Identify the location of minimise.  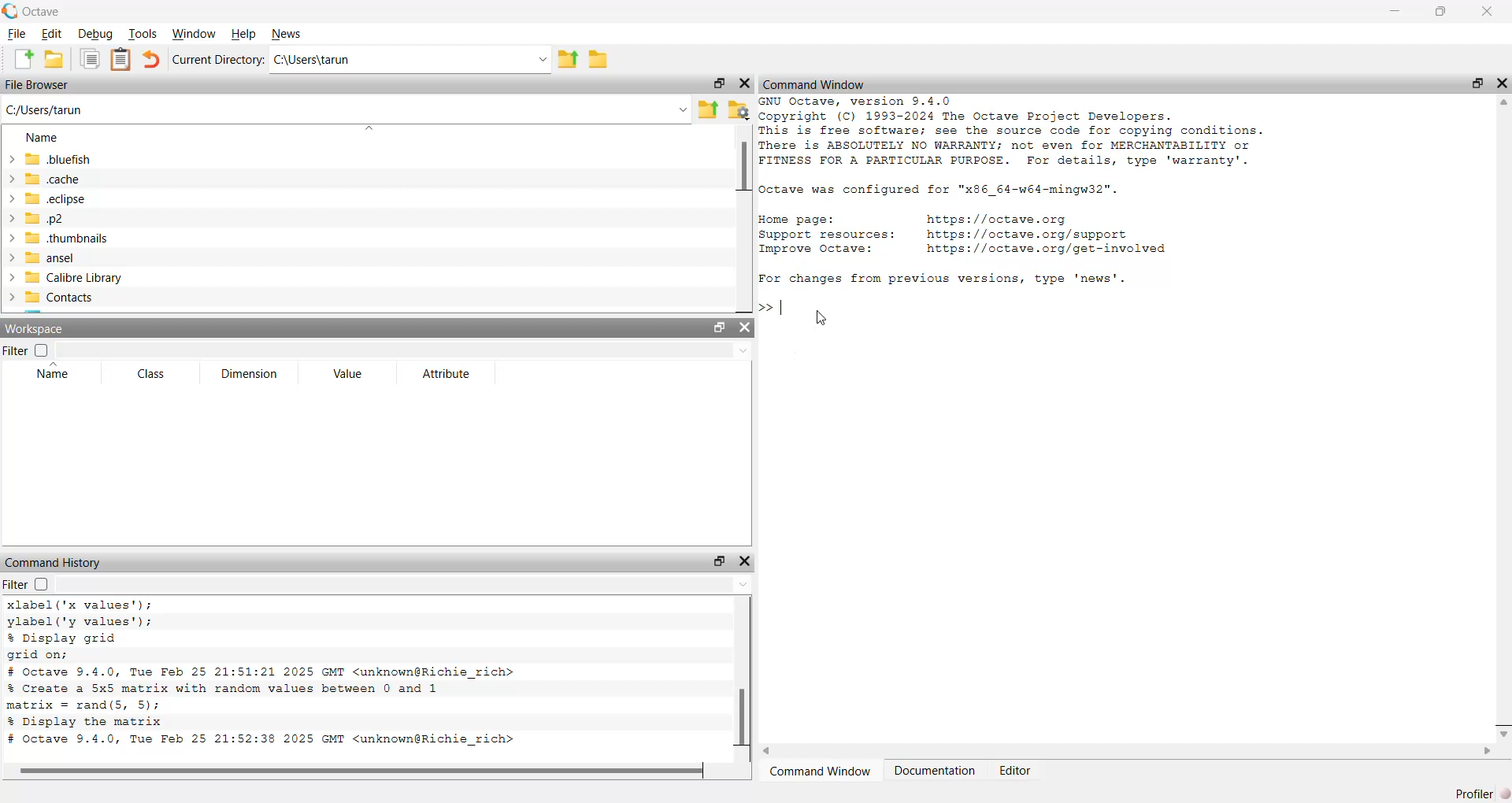
(1391, 9).